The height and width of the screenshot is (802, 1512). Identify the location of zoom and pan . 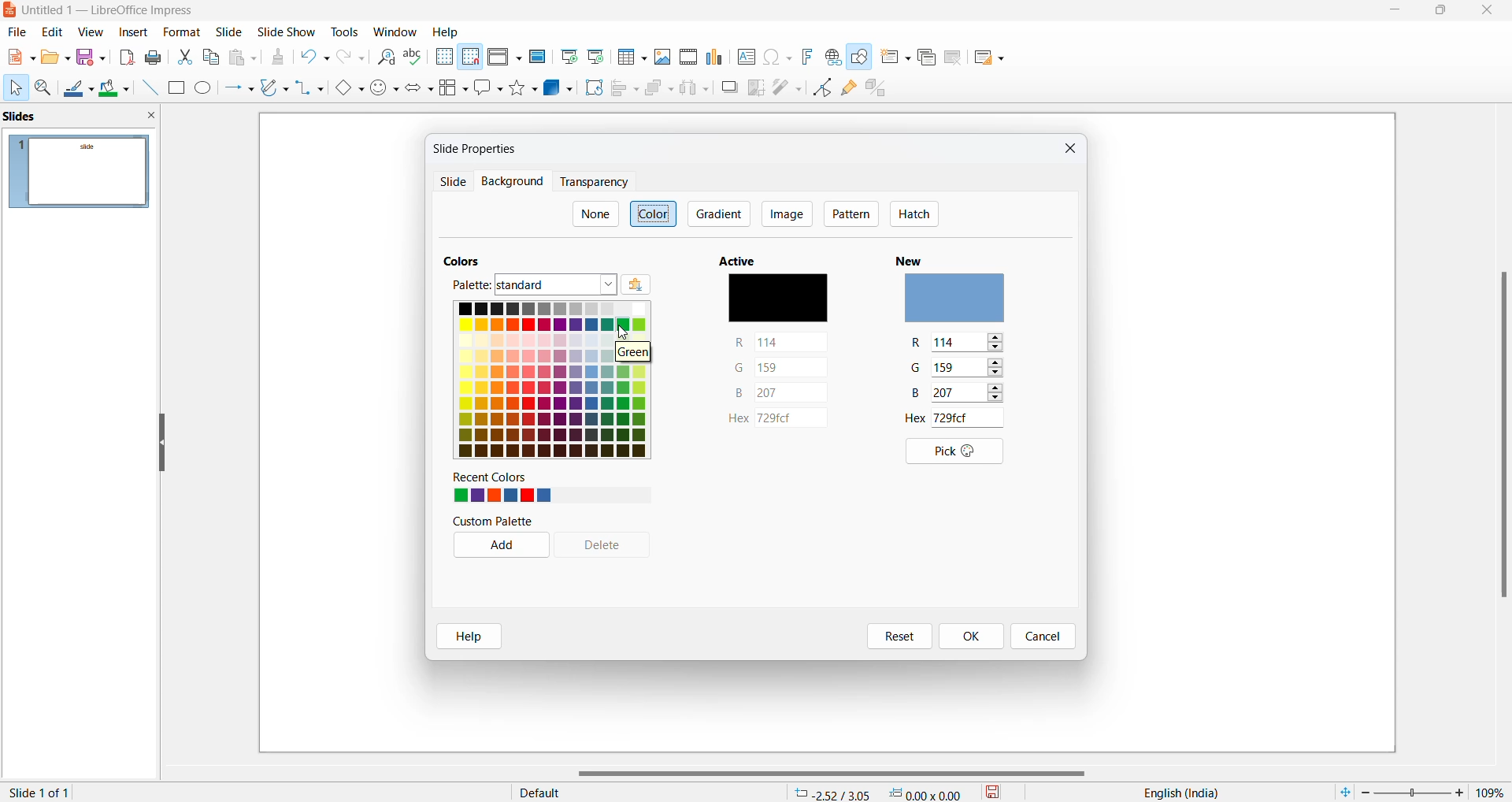
(44, 91).